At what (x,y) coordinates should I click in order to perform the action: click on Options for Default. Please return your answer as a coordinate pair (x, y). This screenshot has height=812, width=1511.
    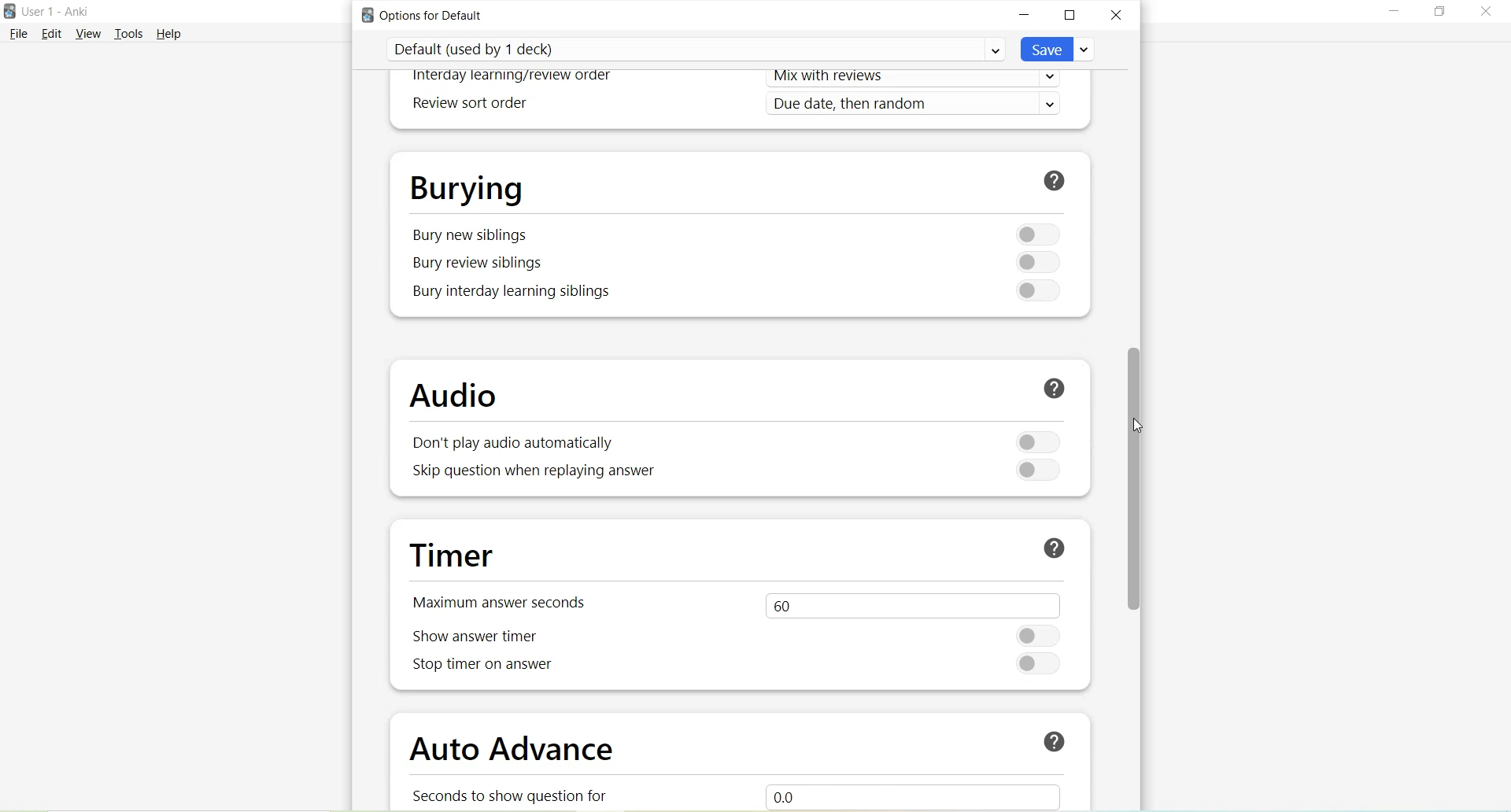
    Looking at the image, I should click on (428, 15).